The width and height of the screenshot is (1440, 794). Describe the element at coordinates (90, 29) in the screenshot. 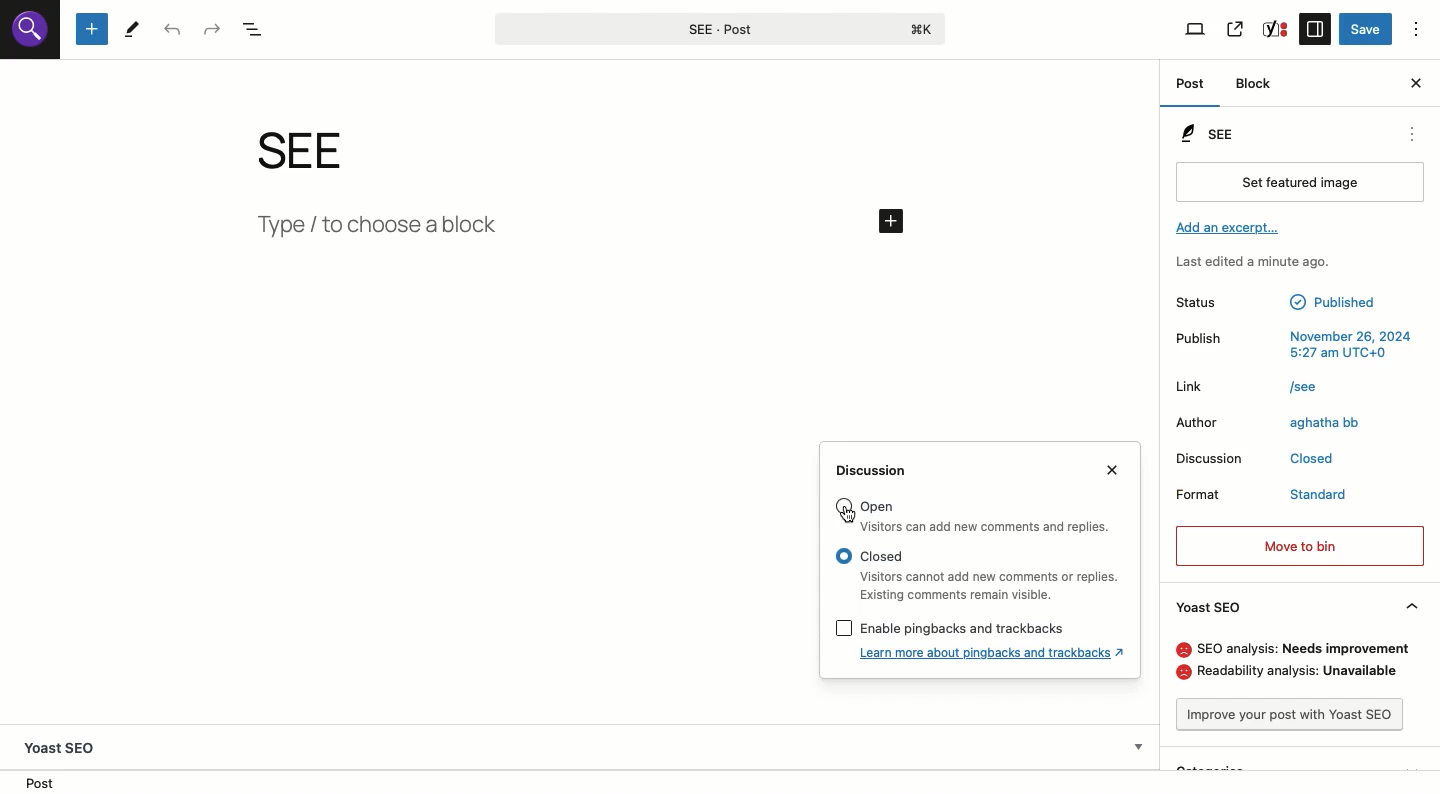

I see `Add new block` at that location.